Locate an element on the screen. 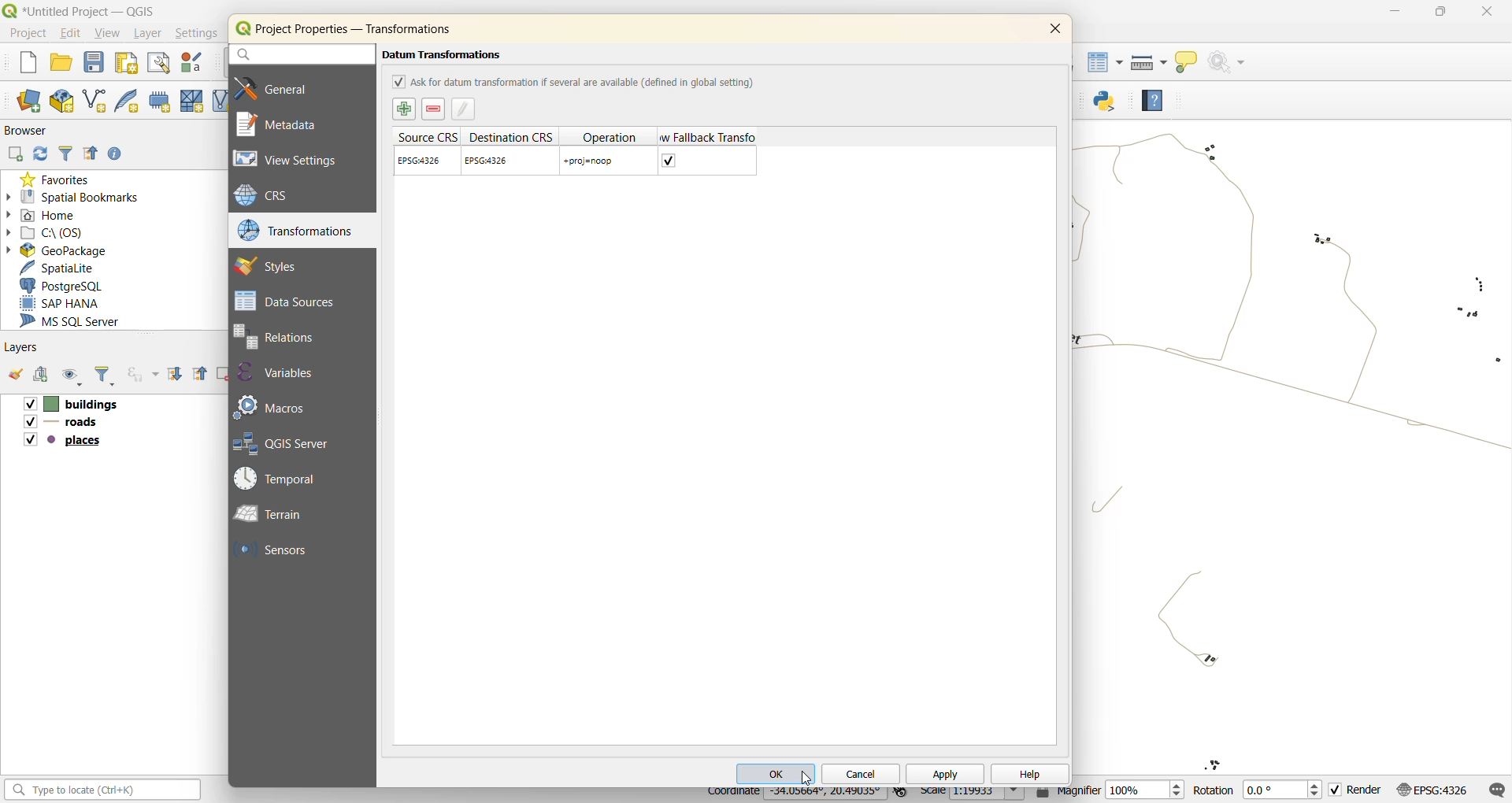 The height and width of the screenshot is (803, 1512). refresh is located at coordinates (39, 154).